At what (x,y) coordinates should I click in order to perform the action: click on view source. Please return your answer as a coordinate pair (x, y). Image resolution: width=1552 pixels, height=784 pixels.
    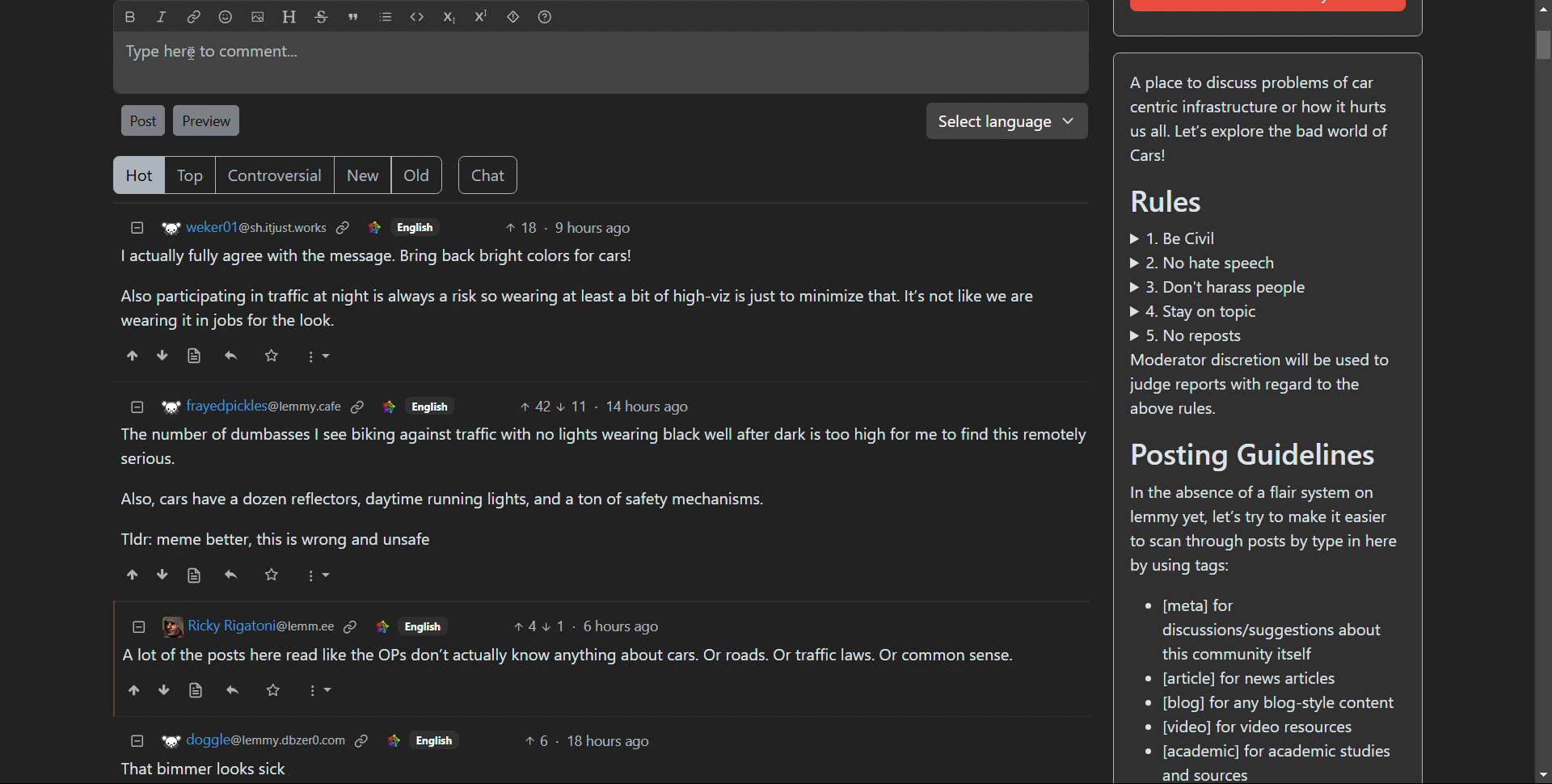
    Looking at the image, I should click on (195, 575).